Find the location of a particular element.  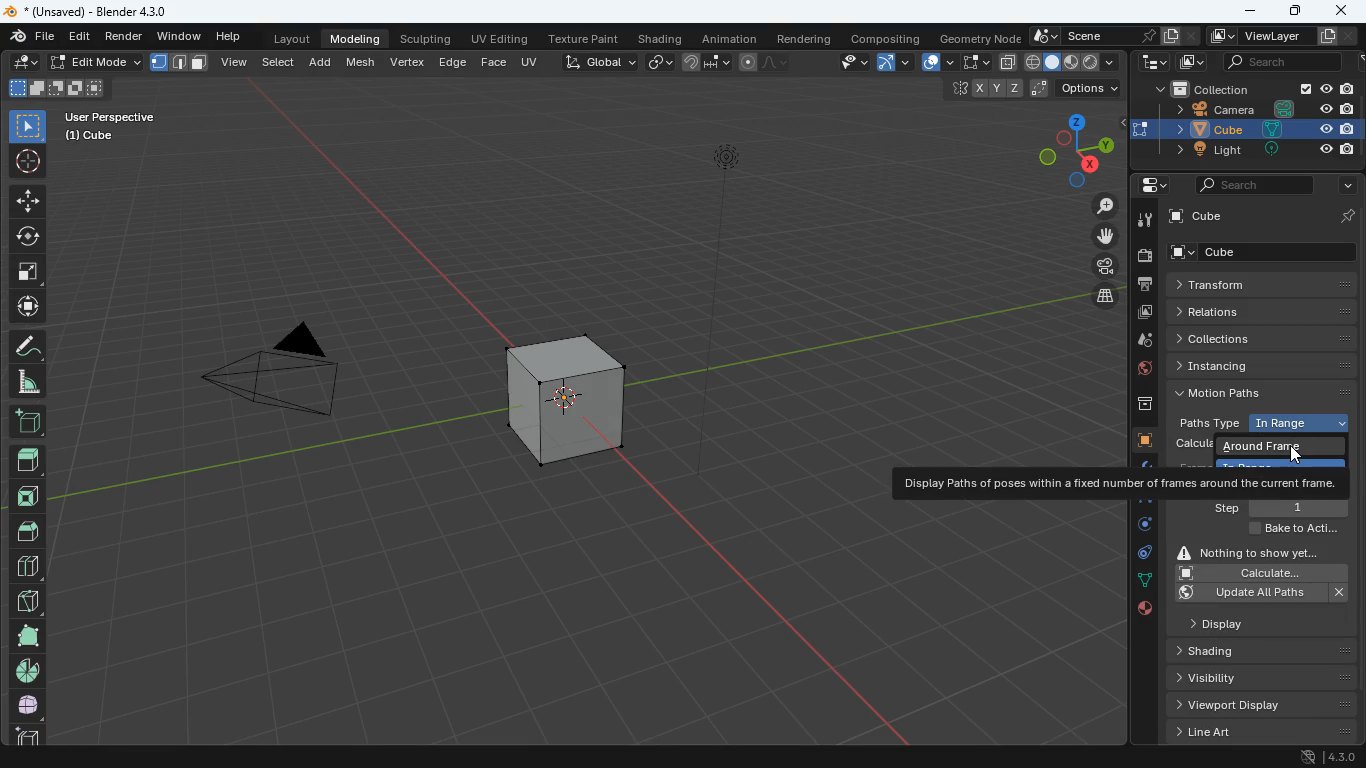

more is located at coordinates (1343, 186).